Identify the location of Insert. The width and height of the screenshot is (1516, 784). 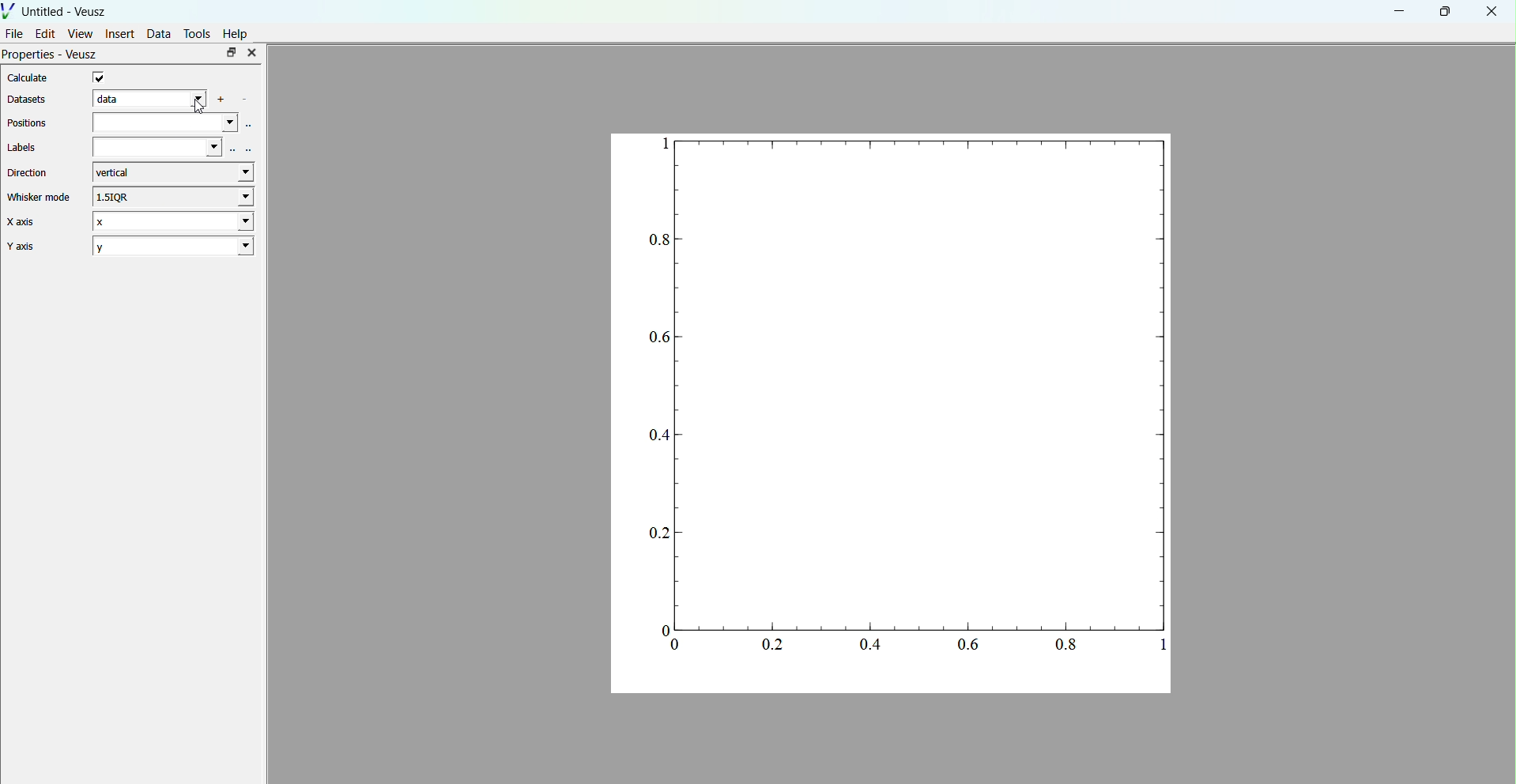
(120, 33).